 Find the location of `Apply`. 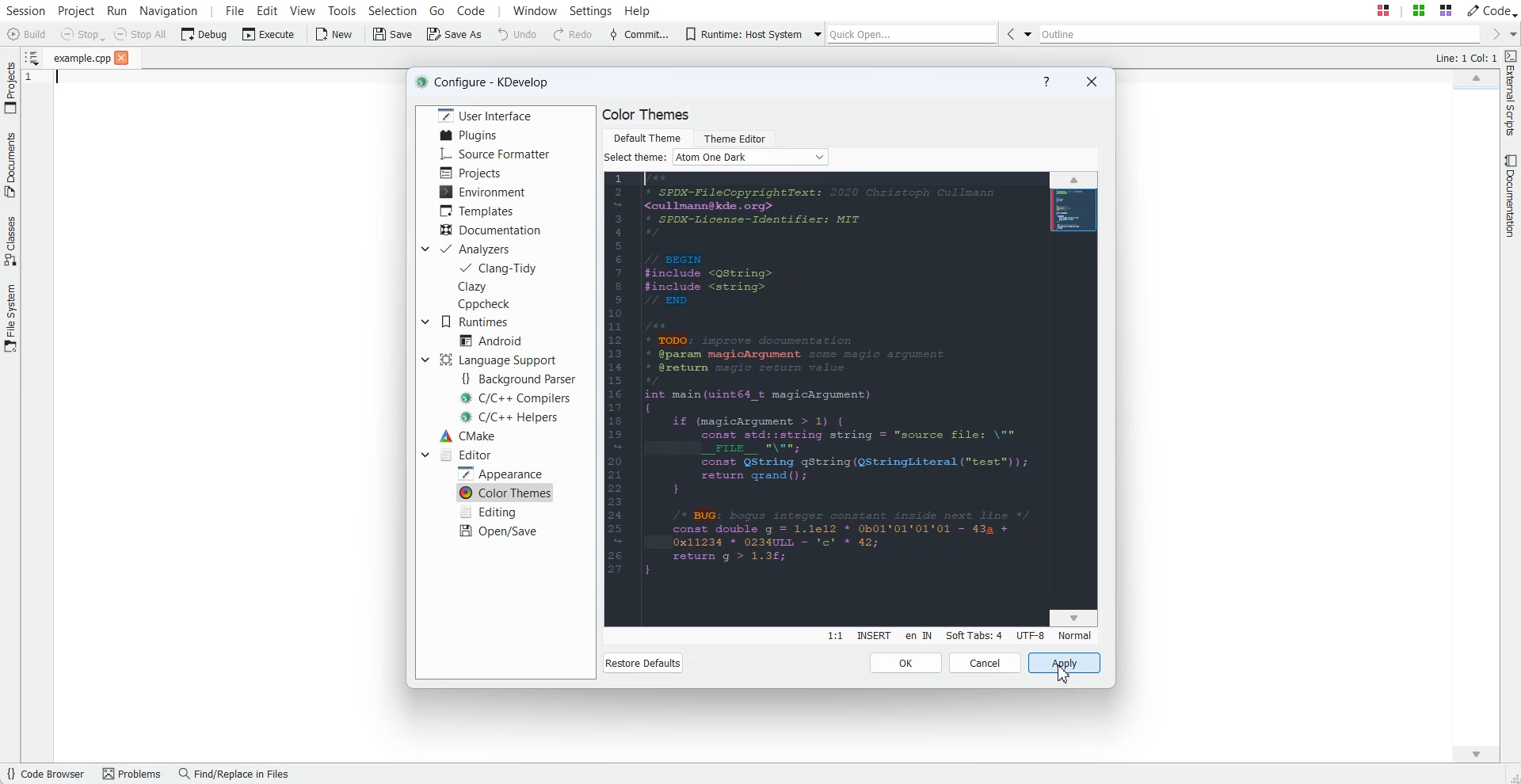

Apply is located at coordinates (1064, 664).